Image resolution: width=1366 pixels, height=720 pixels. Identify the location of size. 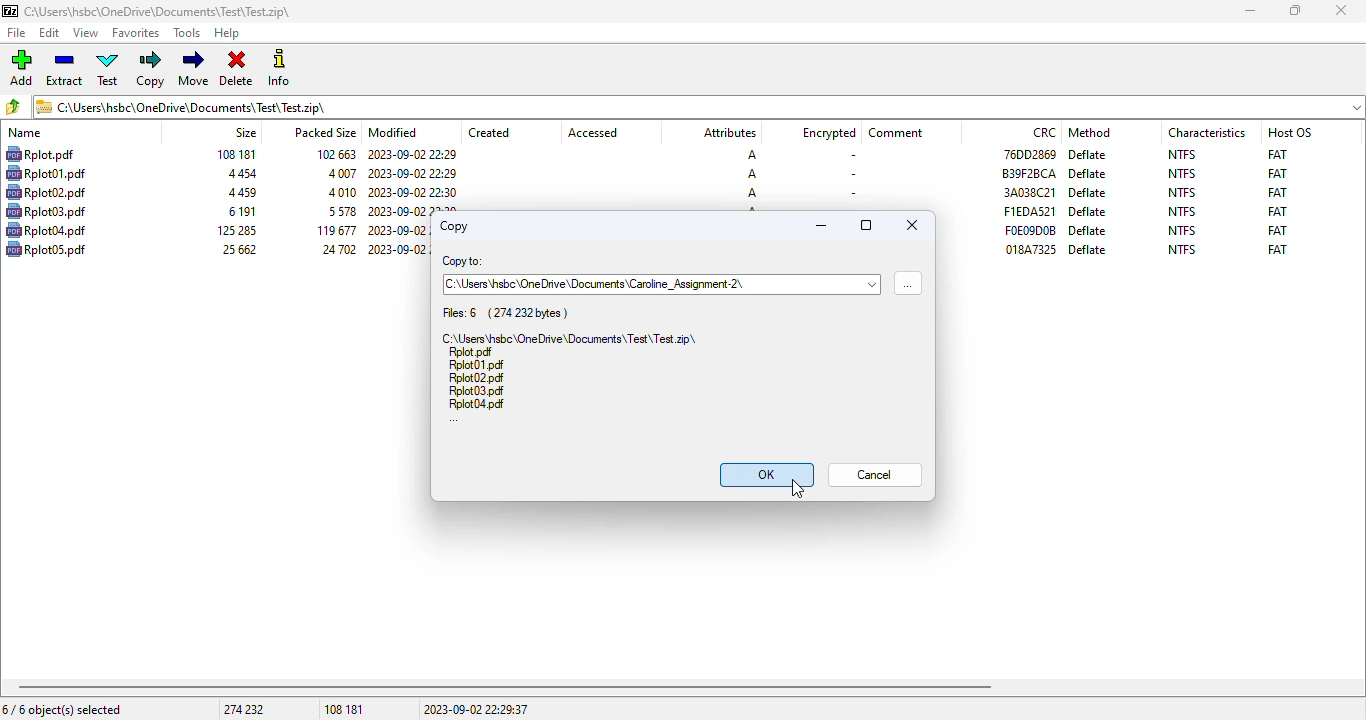
(240, 211).